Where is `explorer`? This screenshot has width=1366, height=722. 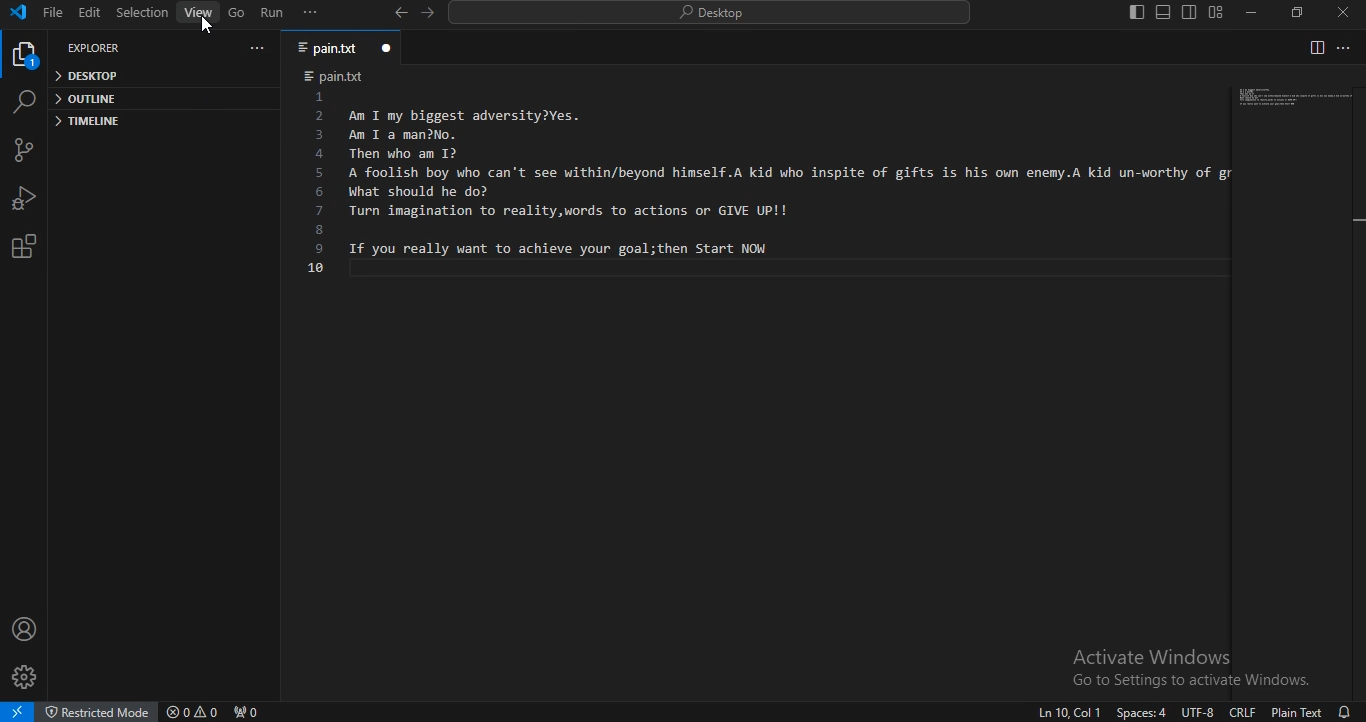
explorer is located at coordinates (26, 58).